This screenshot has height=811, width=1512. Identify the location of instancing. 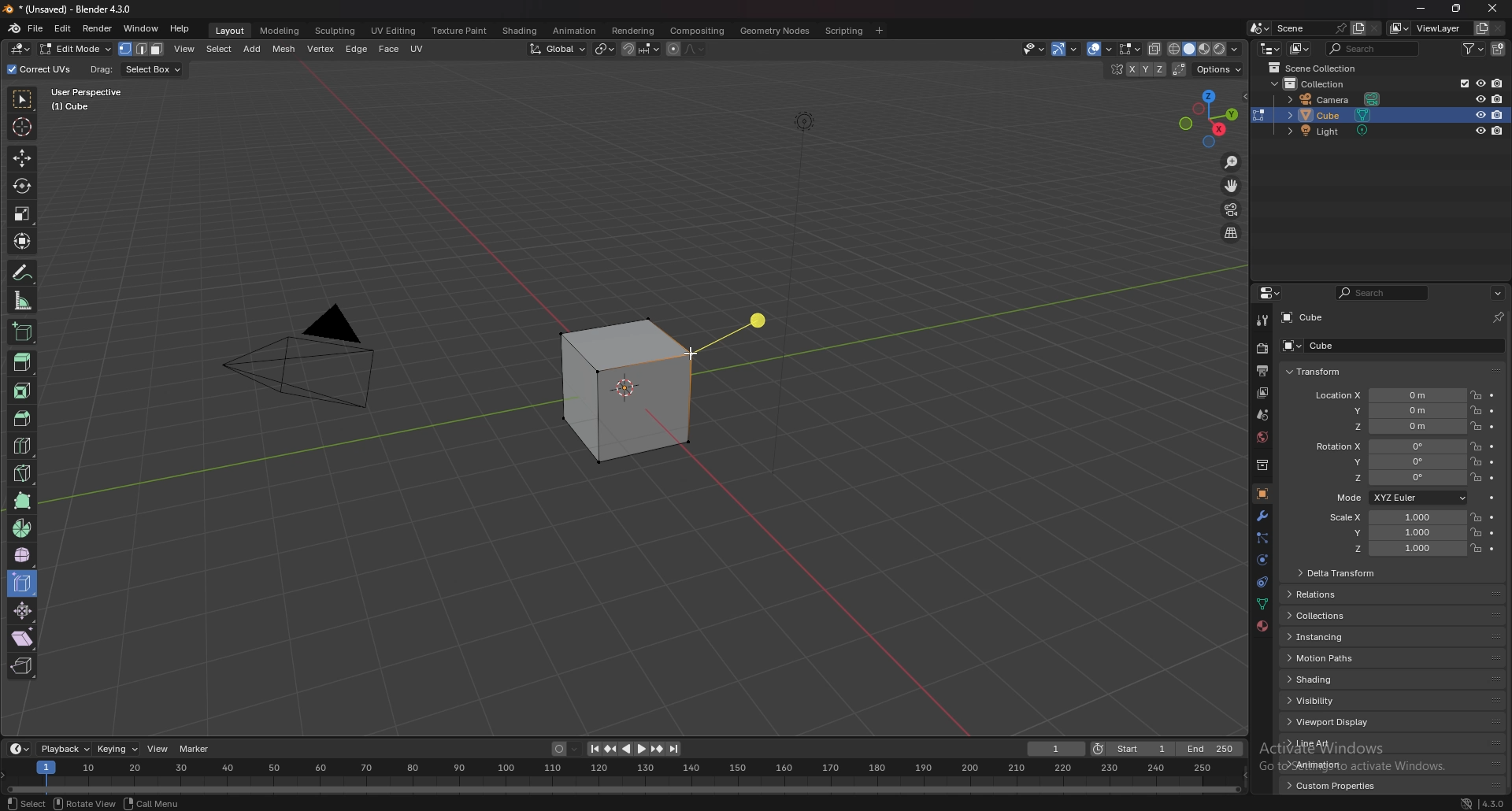
(1329, 639).